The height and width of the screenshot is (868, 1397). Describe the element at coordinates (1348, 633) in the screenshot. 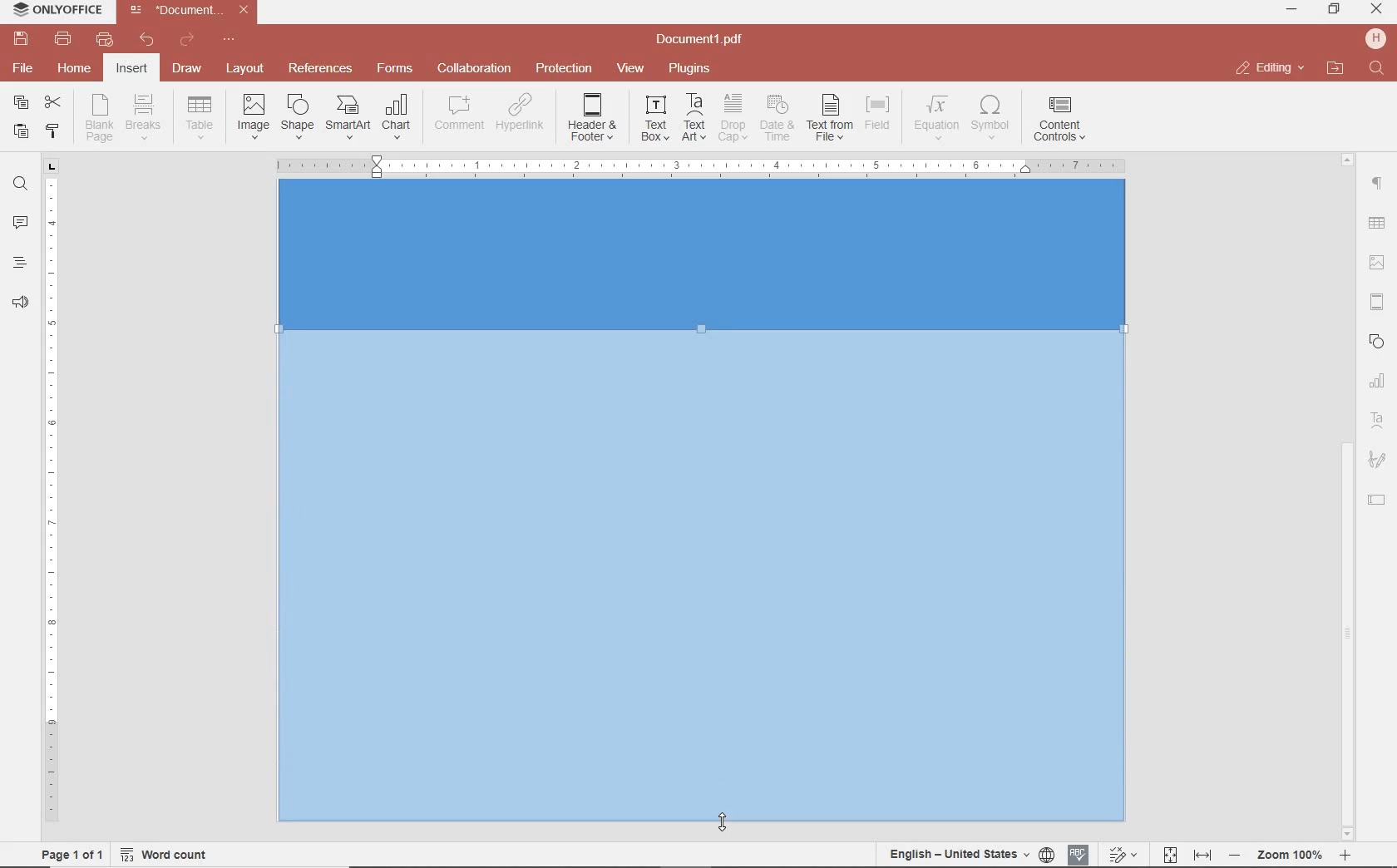

I see `scrollbar` at that location.